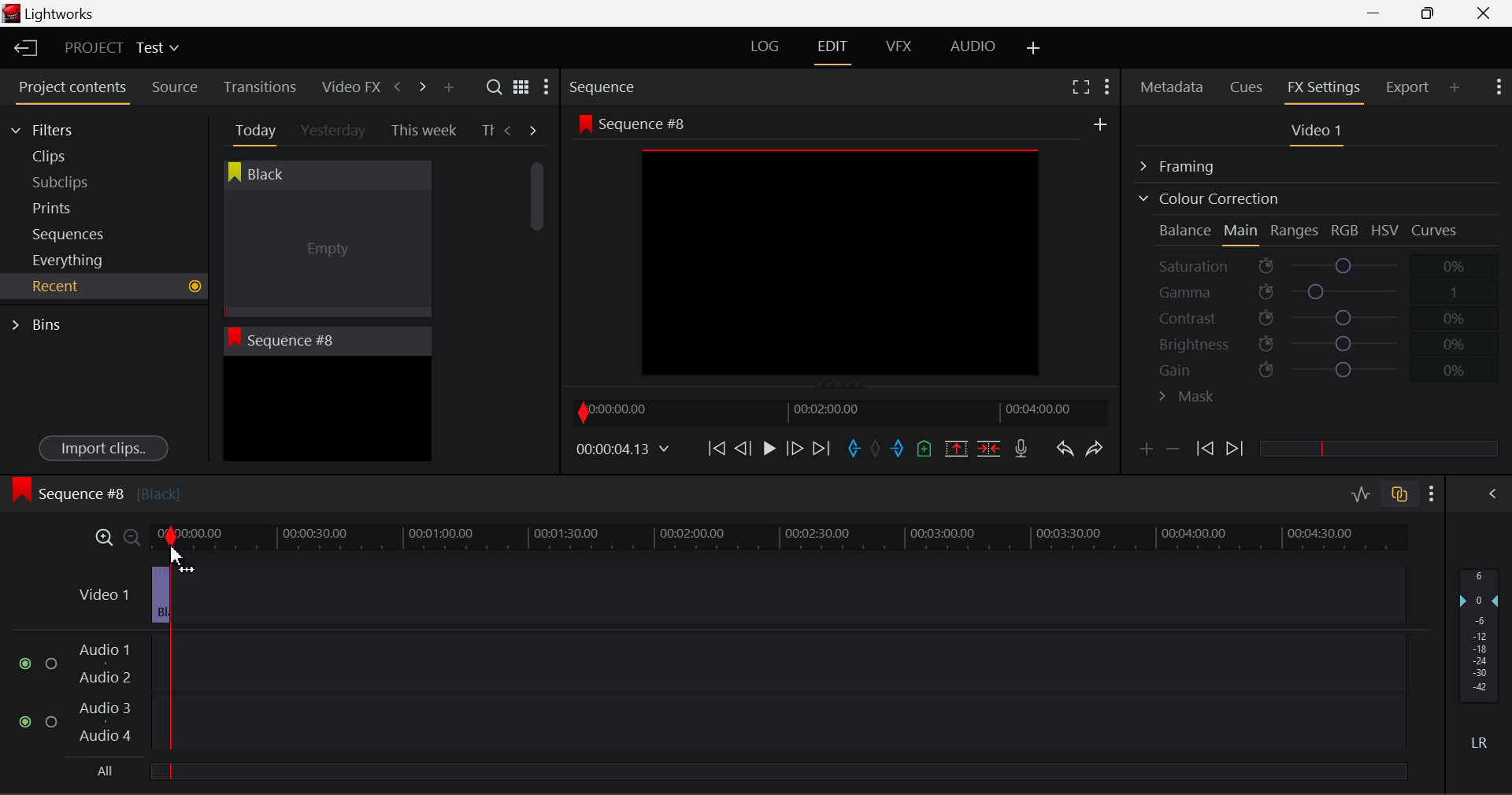 The image size is (1512, 795). Describe the element at coordinates (160, 596) in the screenshot. I see `Clip 1 Segment` at that location.